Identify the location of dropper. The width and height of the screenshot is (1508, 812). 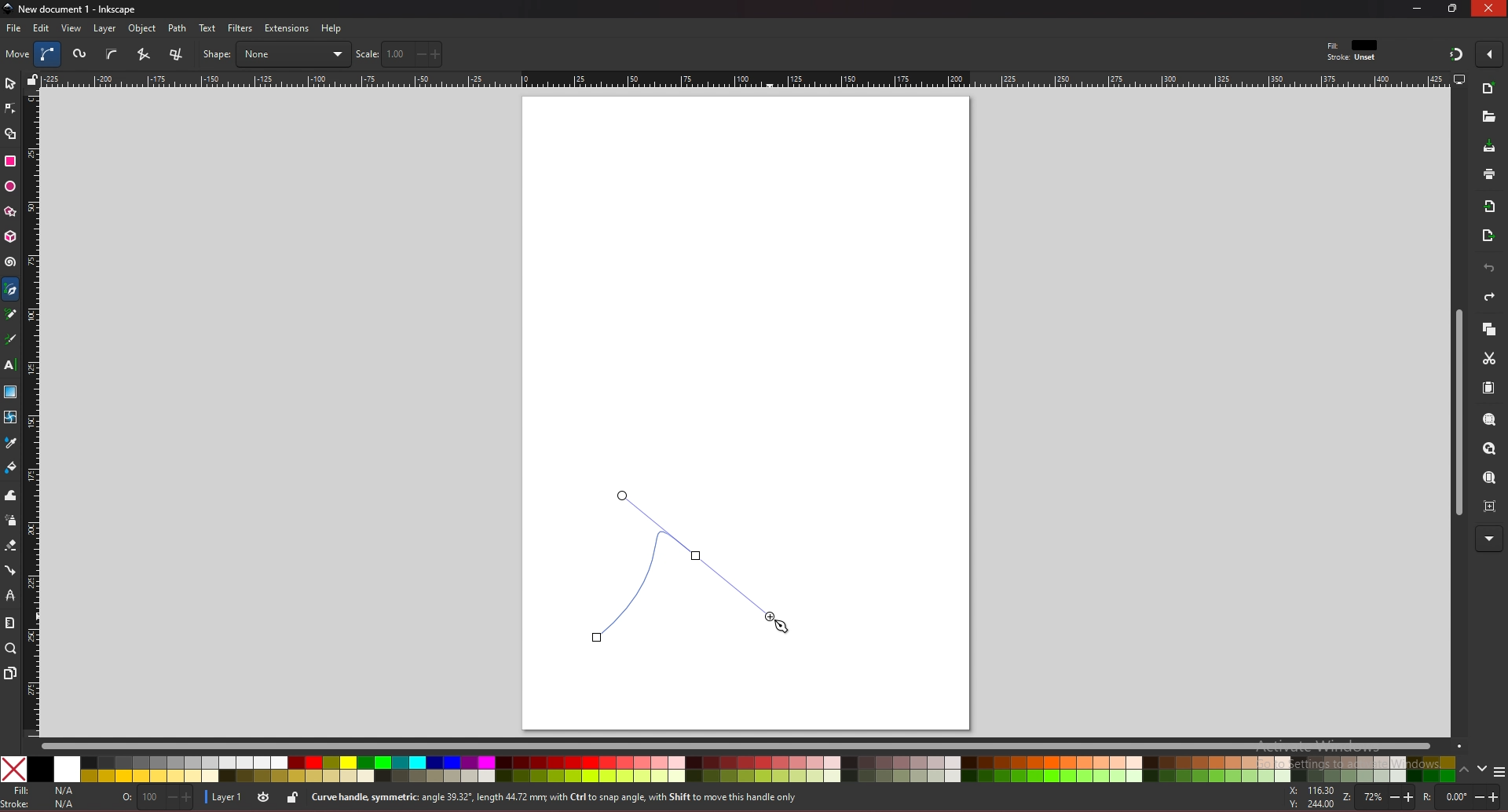
(11, 444).